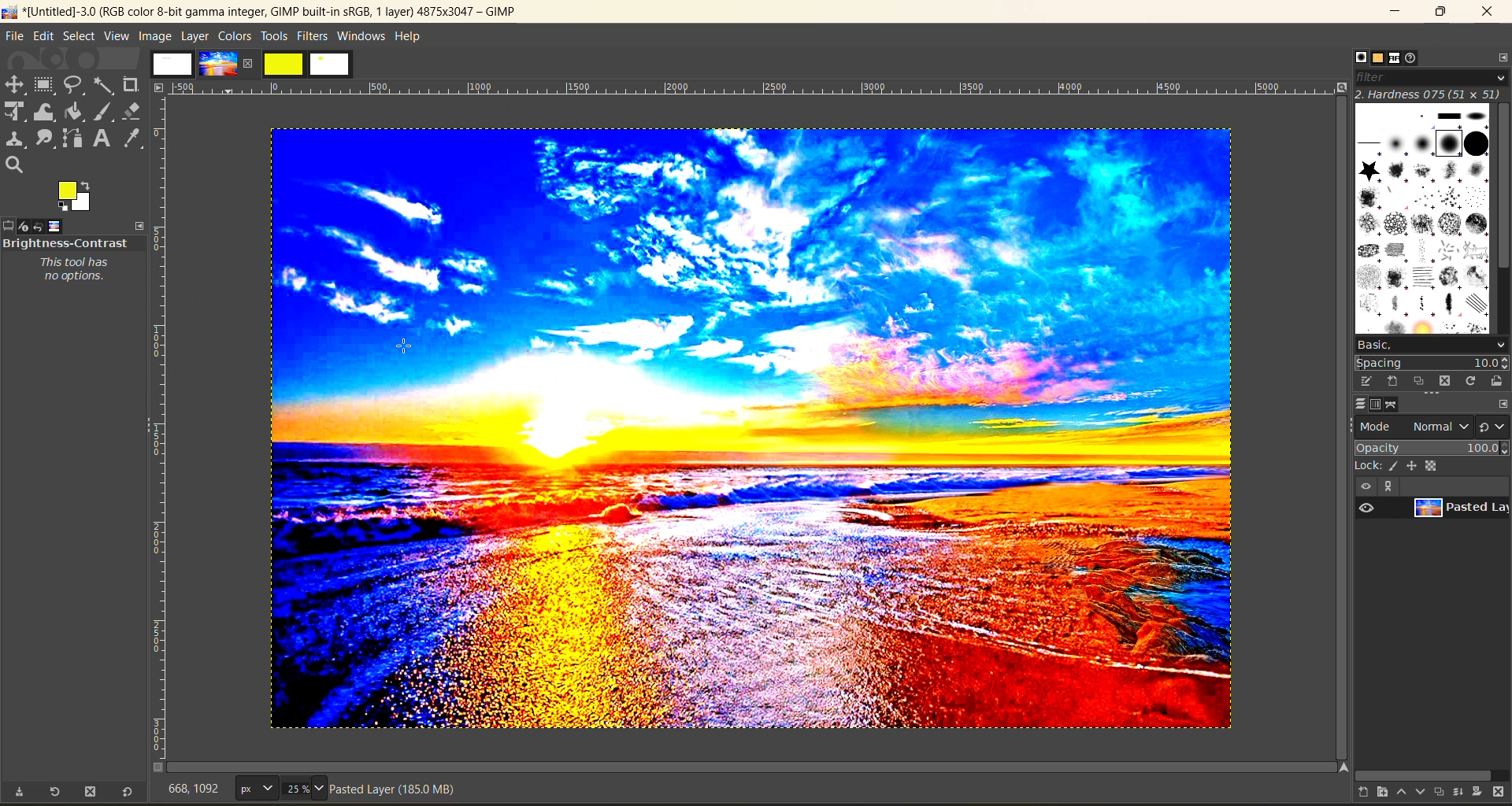 This screenshot has width=1512, height=806. What do you see at coordinates (1366, 507) in the screenshot?
I see `preview` at bounding box center [1366, 507].